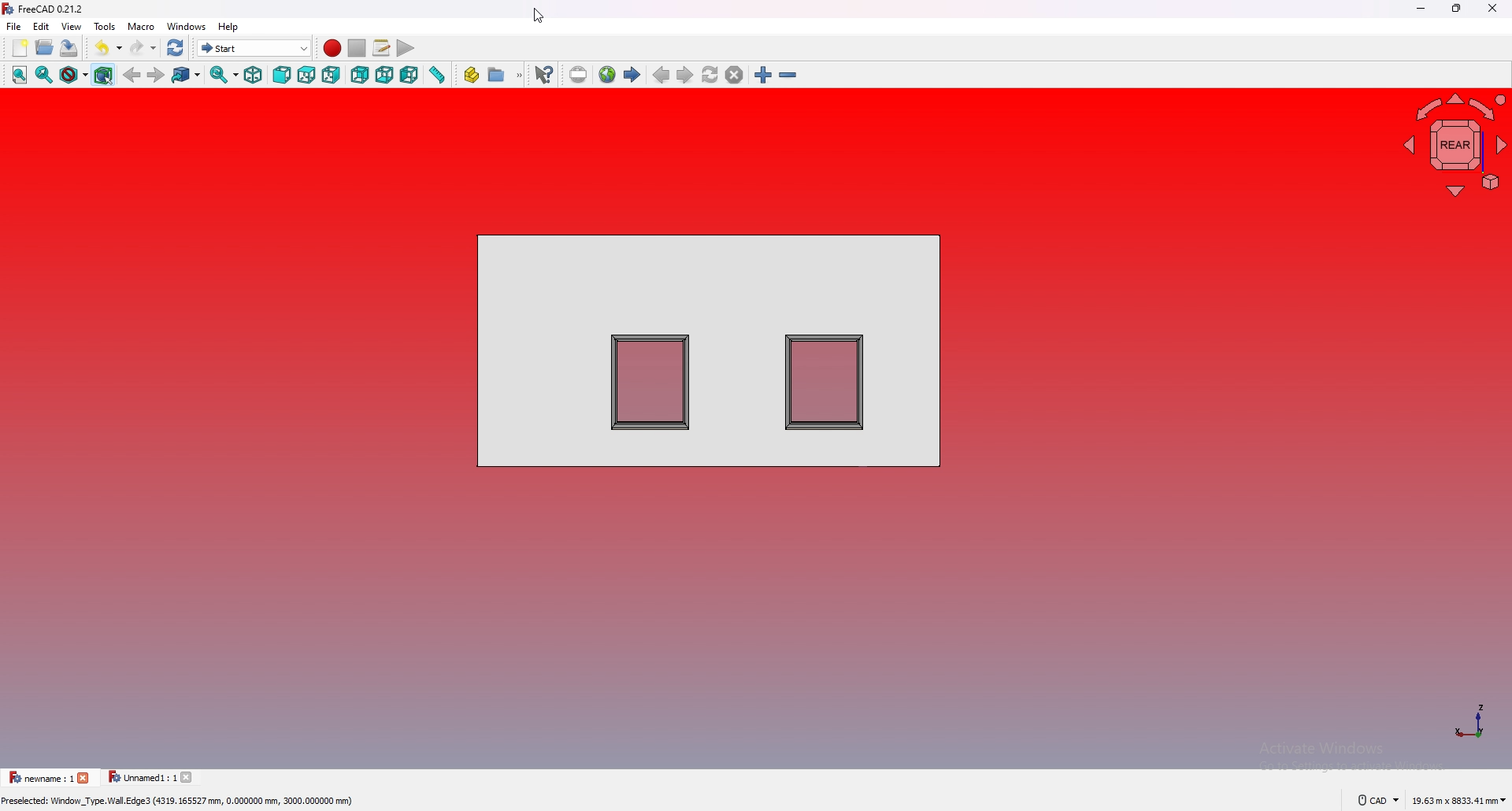  Describe the element at coordinates (20, 75) in the screenshot. I see `fit all` at that location.